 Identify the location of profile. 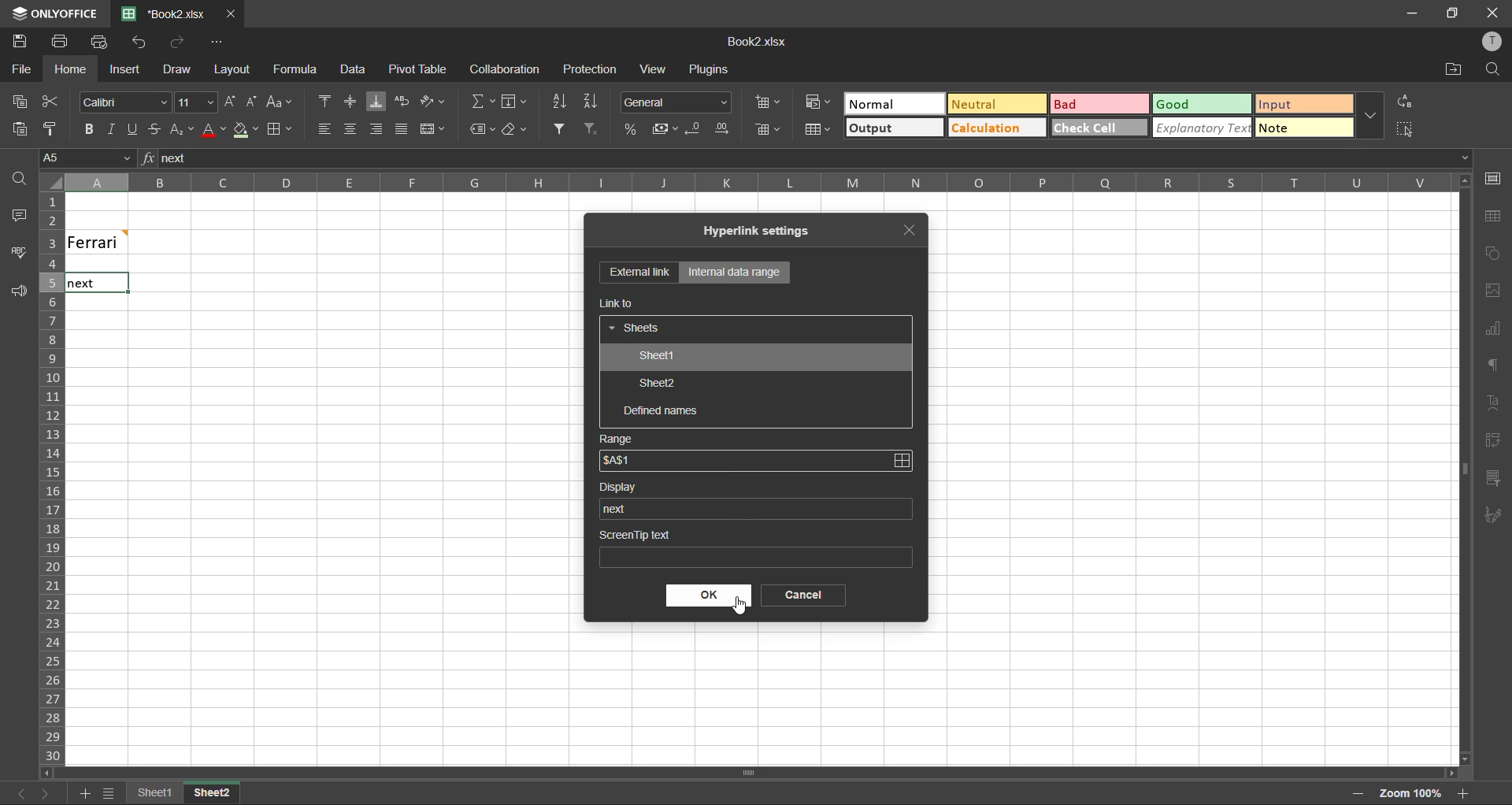
(1490, 41).